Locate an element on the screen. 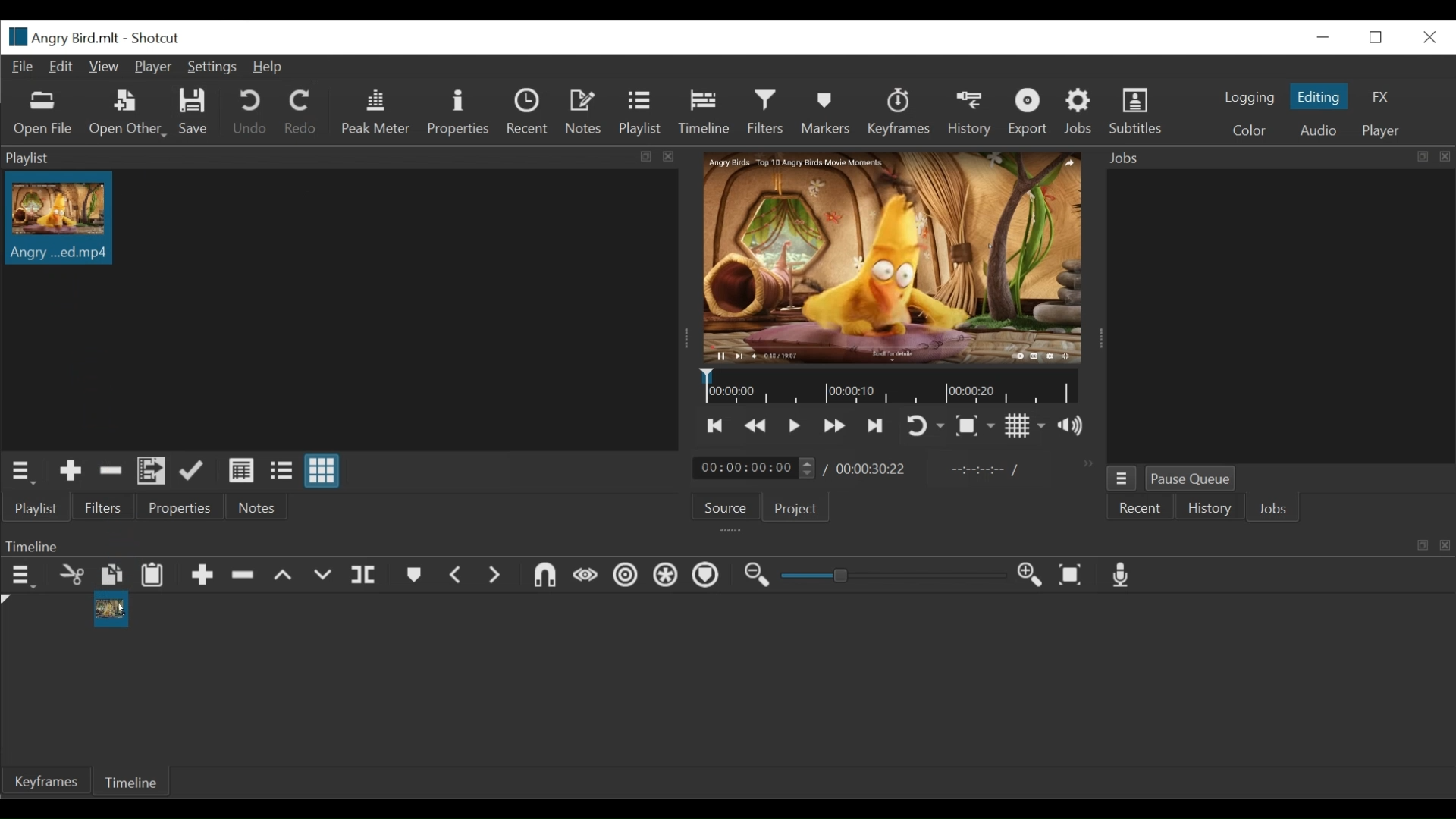 This screenshot has height=819, width=1456. Clip  is located at coordinates (58, 223).